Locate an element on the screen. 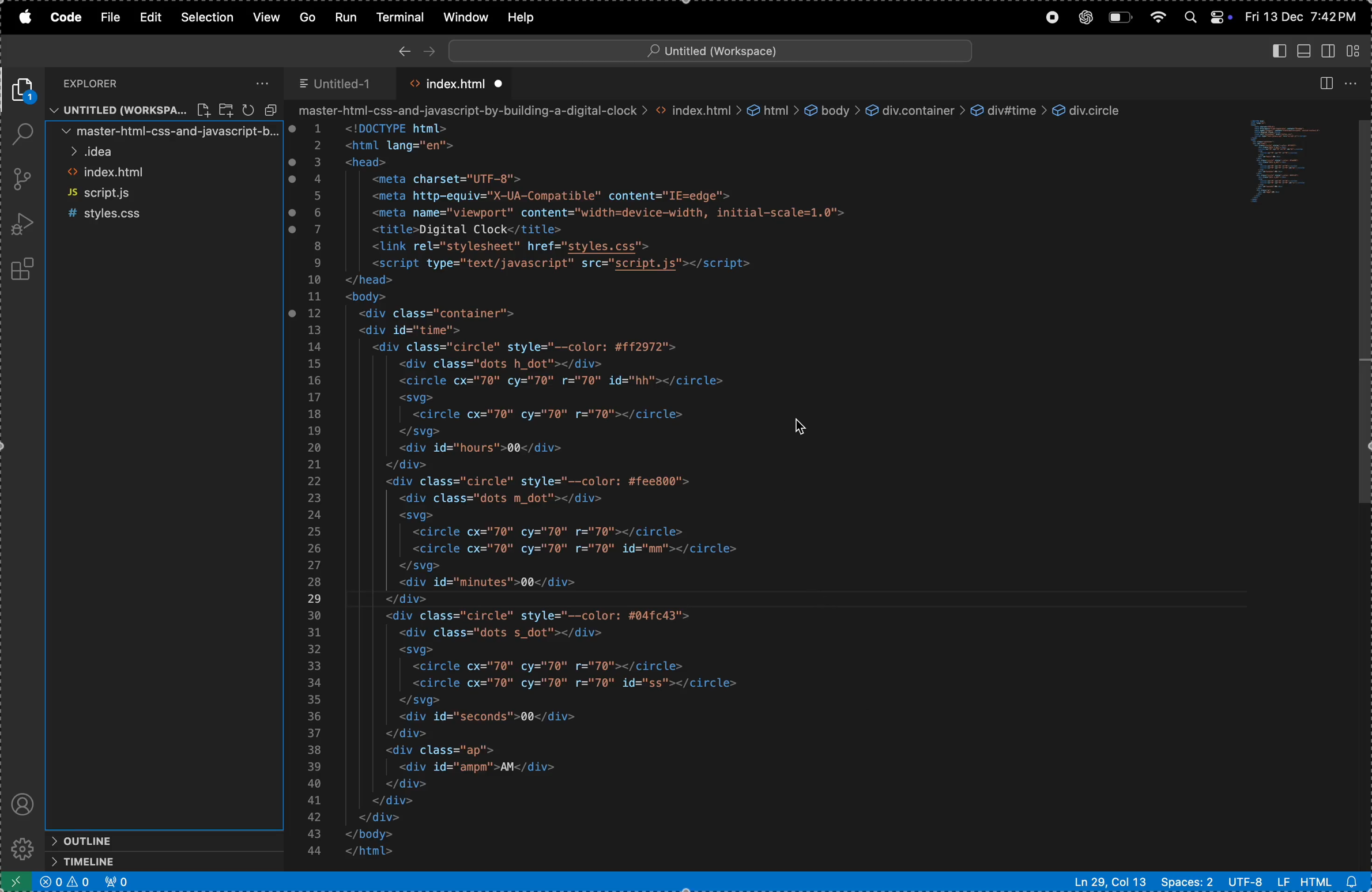 This screenshot has width=1372, height=892. no ports forwarded is located at coordinates (117, 882).